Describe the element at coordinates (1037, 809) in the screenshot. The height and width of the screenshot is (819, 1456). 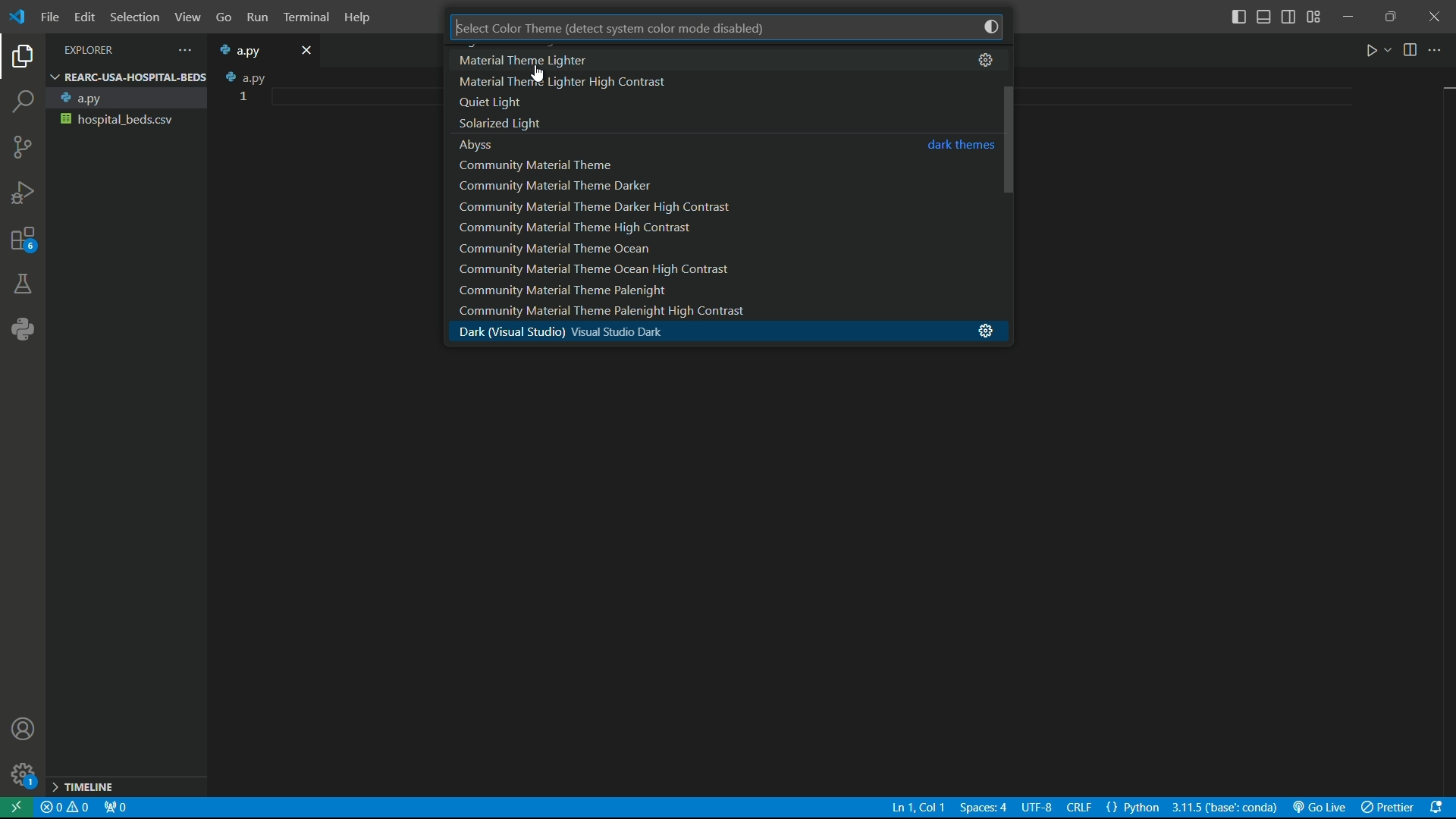
I see `UTF-8` at that location.